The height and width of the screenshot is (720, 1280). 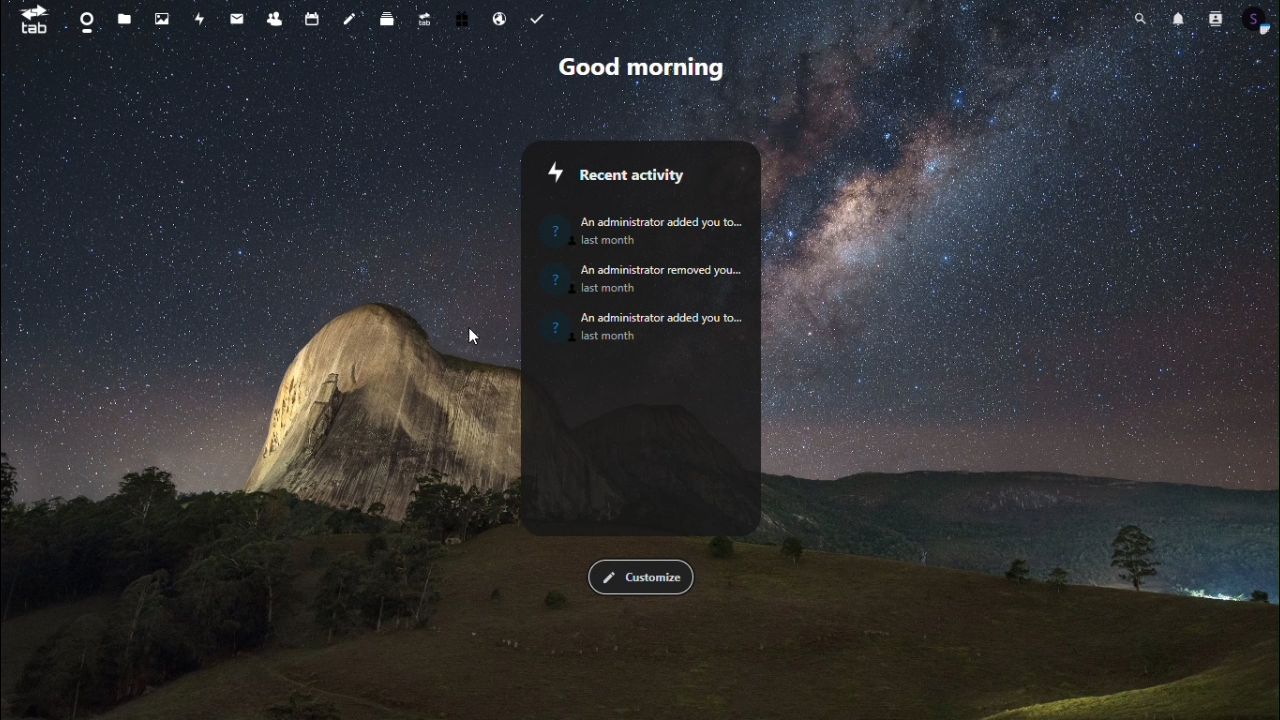 I want to click on tab, so click(x=28, y=22).